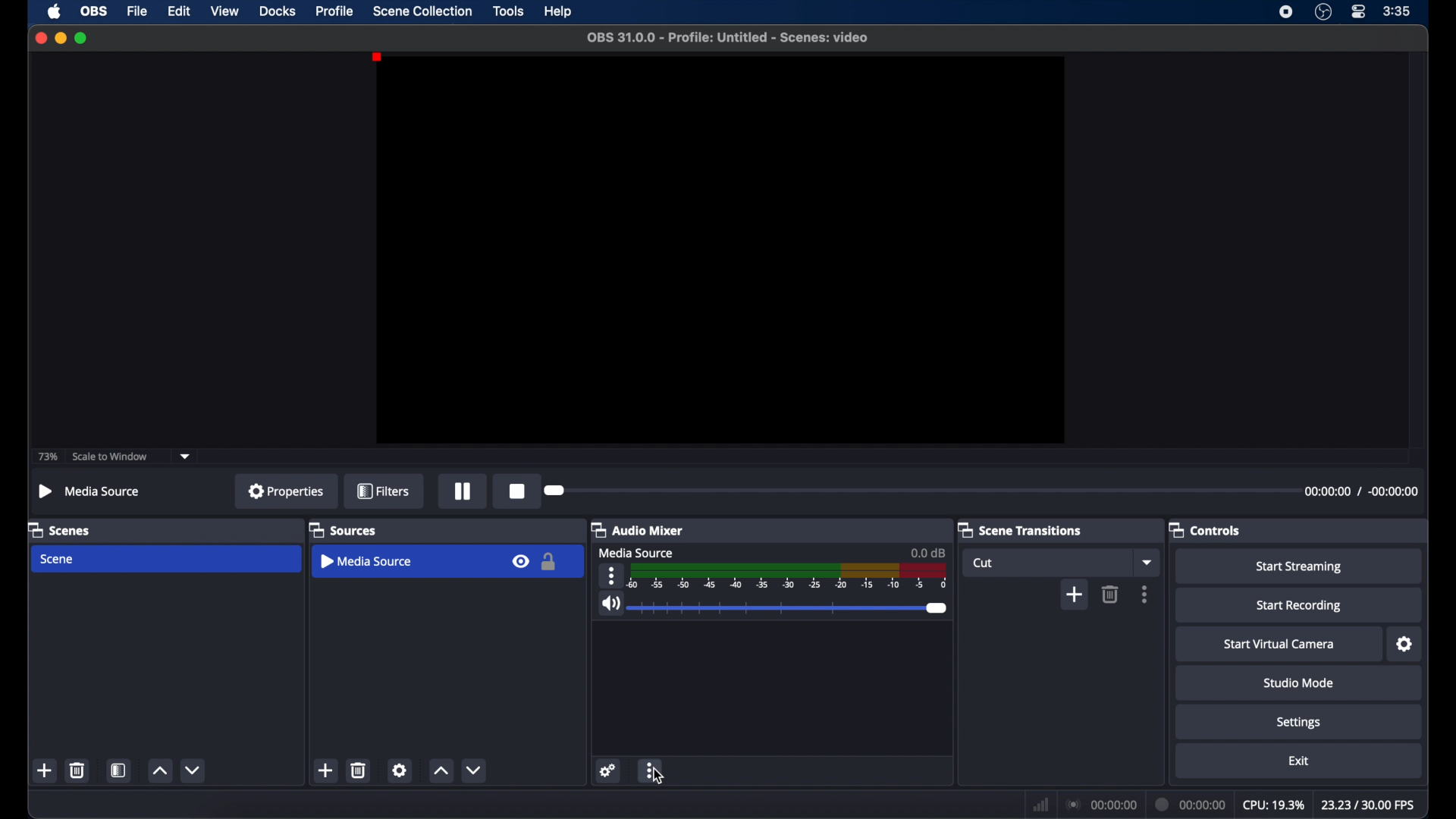 This screenshot has height=819, width=1456. Describe the element at coordinates (1301, 566) in the screenshot. I see `start streaming` at that location.